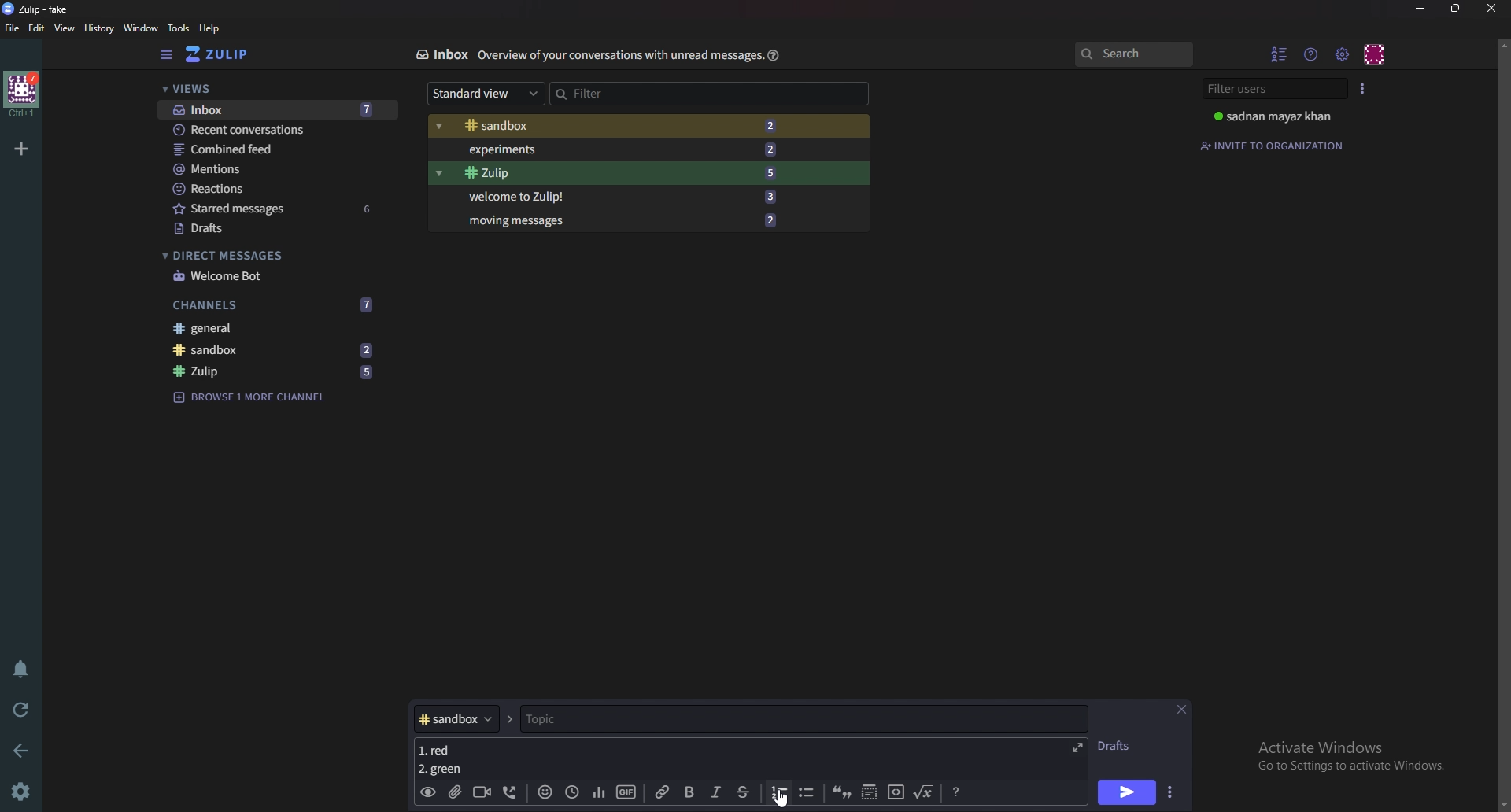 The image size is (1511, 812). What do you see at coordinates (1133, 55) in the screenshot?
I see `search` at bounding box center [1133, 55].